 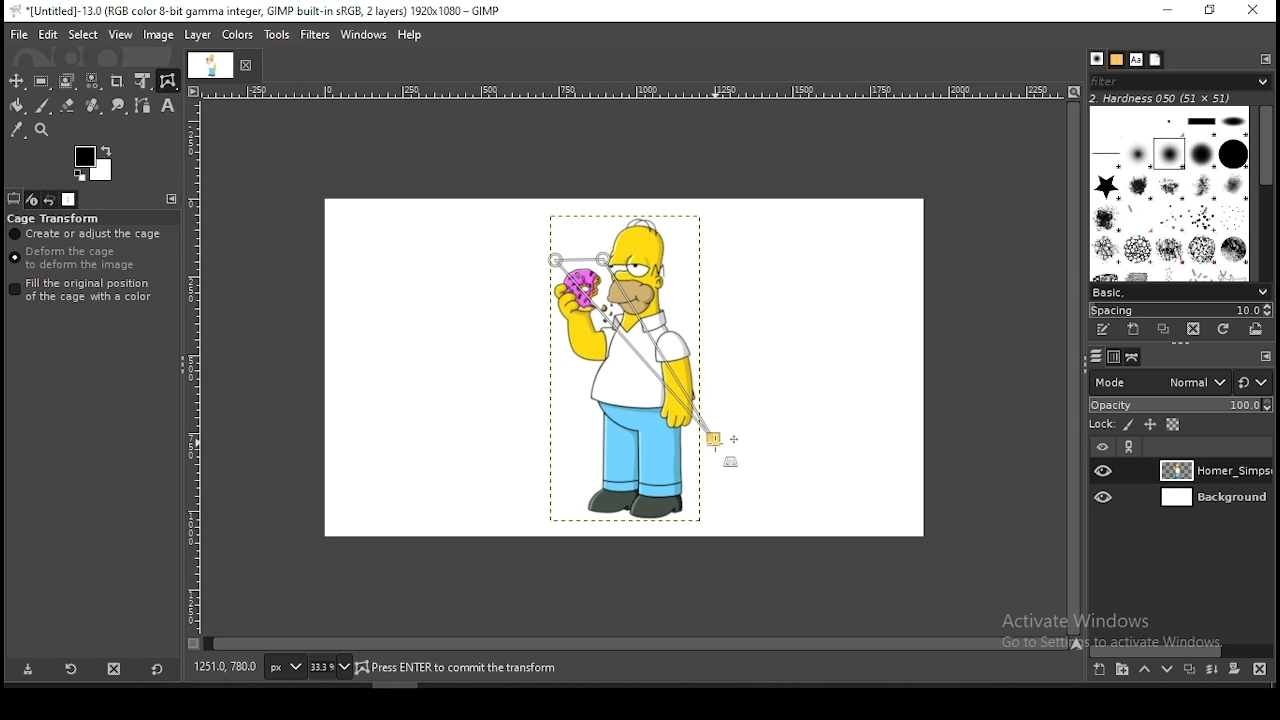 What do you see at coordinates (1171, 99) in the screenshot?
I see `hardness 050` at bounding box center [1171, 99].